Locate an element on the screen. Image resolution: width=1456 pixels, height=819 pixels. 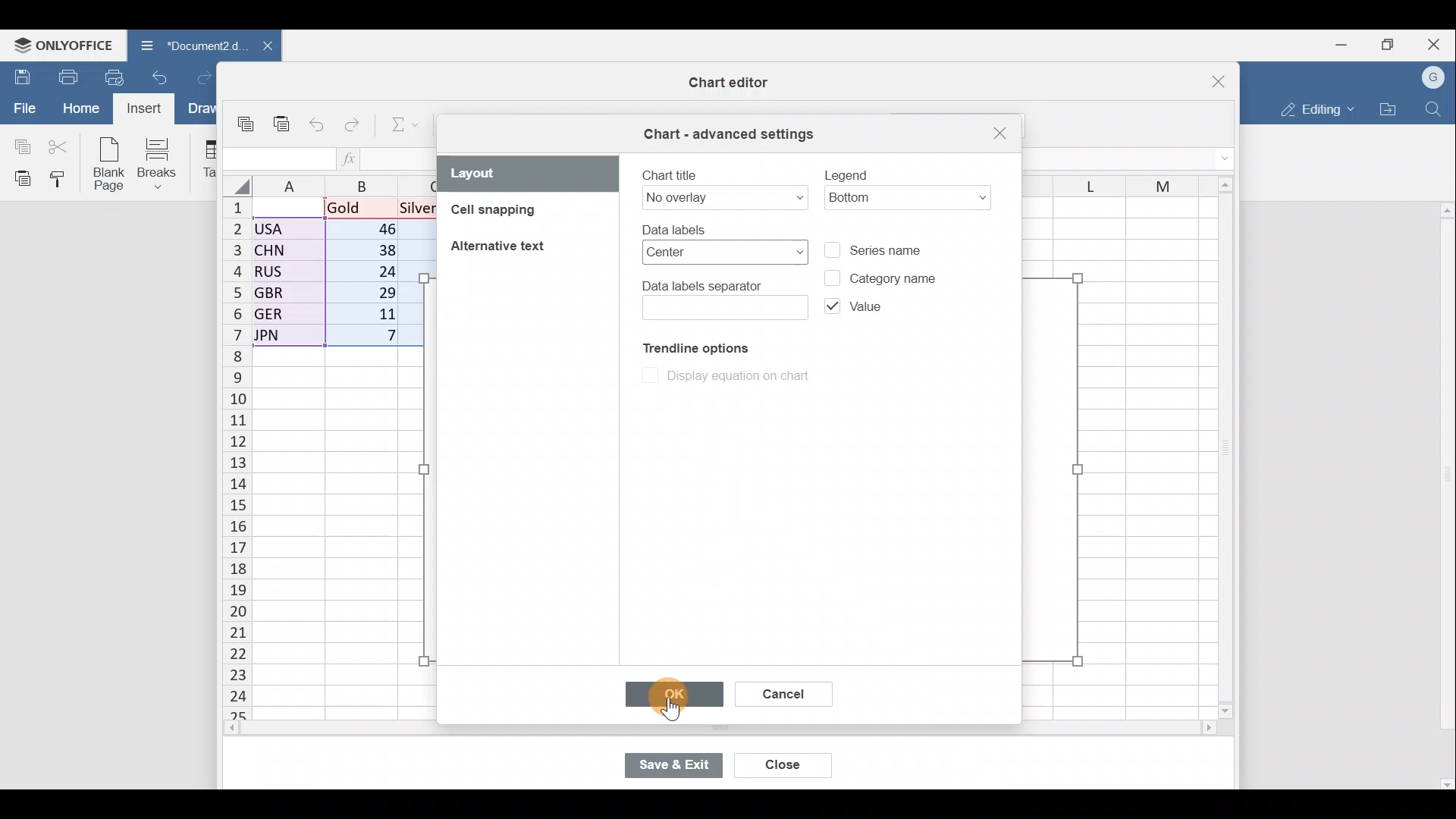
Undo is located at coordinates (320, 126).